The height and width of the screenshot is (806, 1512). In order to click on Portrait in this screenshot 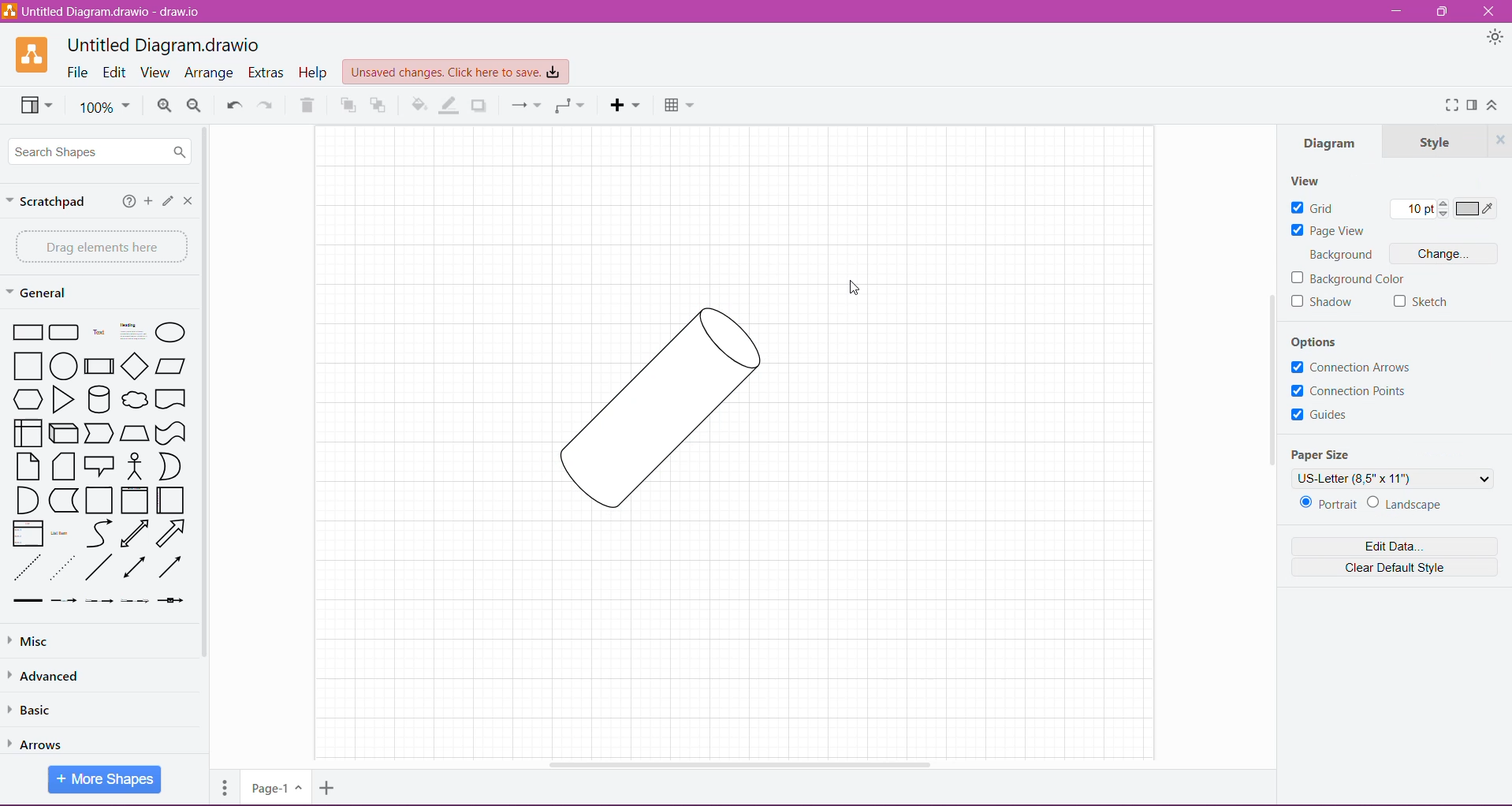, I will do `click(1327, 504)`.